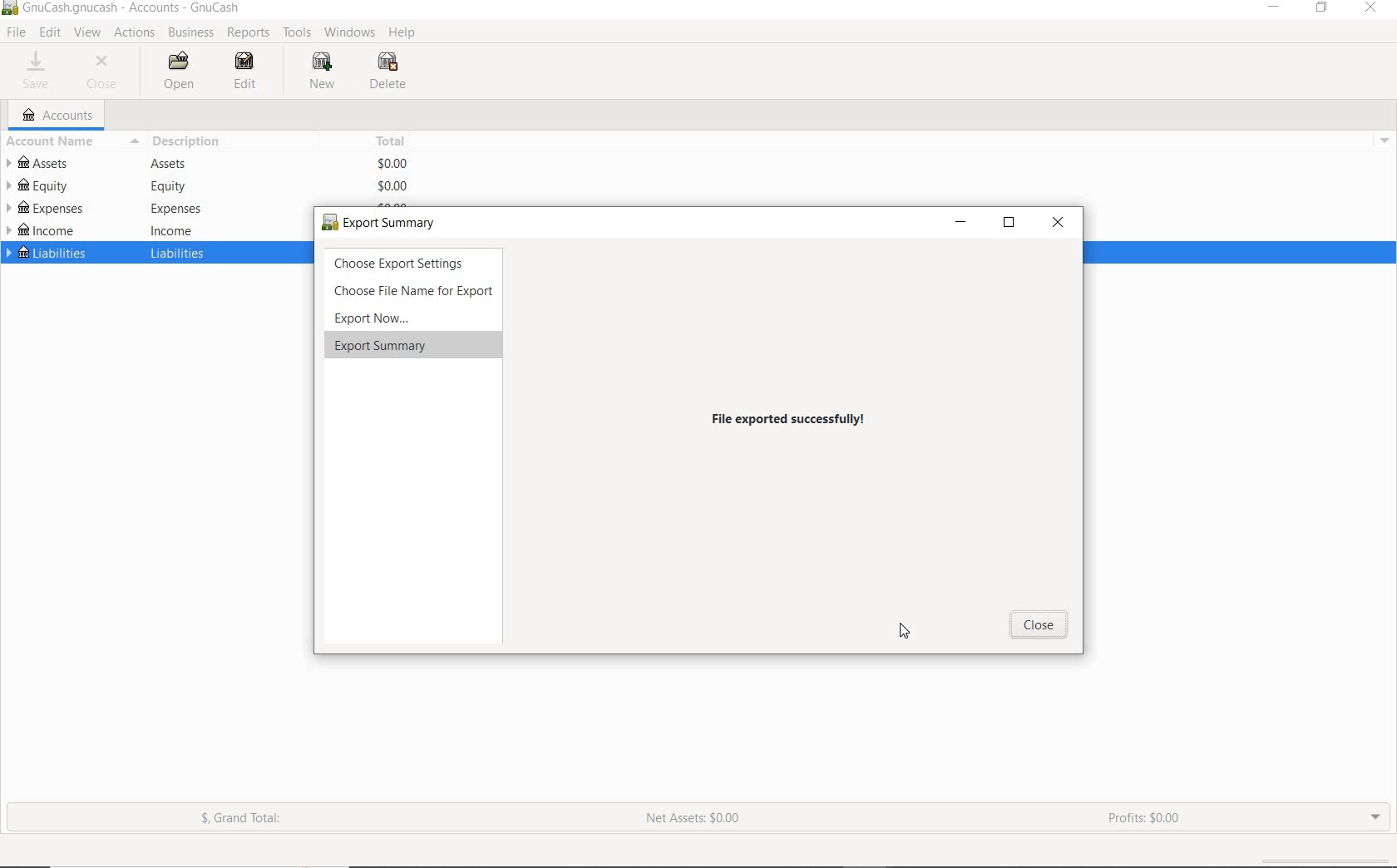 This screenshot has width=1397, height=868. I want to click on DESCRIPTION, so click(182, 142).